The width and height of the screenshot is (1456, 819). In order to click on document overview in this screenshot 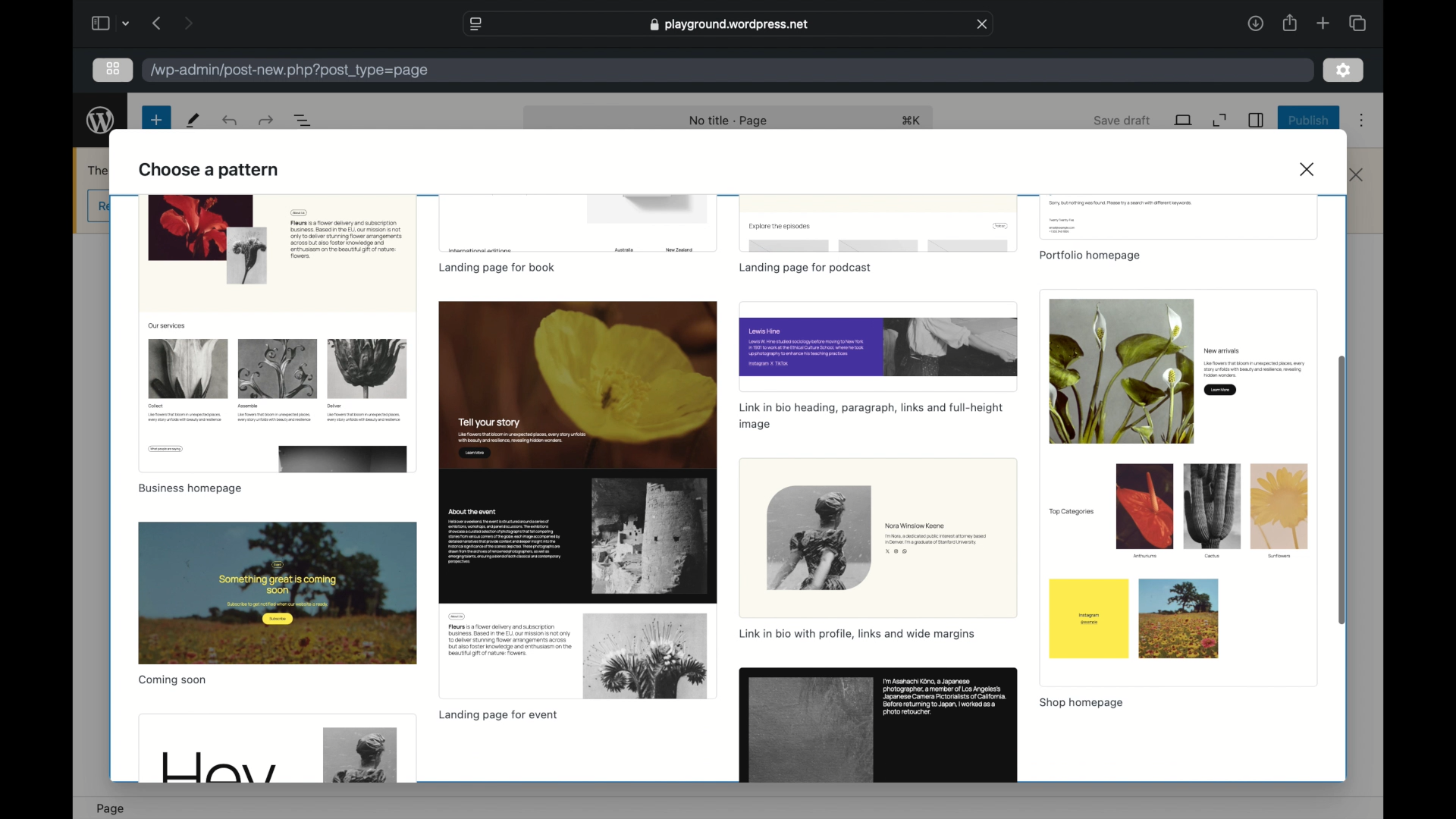, I will do `click(303, 120)`.